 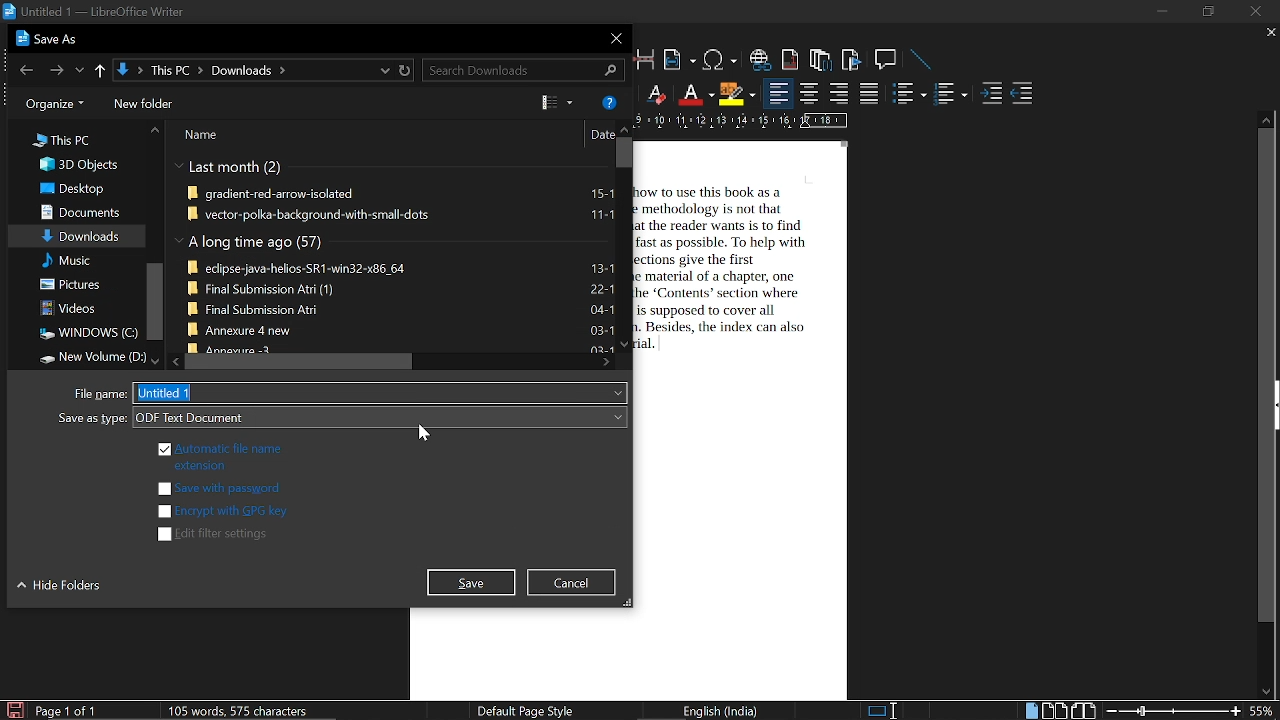 I want to click on current window, so click(x=50, y=39).